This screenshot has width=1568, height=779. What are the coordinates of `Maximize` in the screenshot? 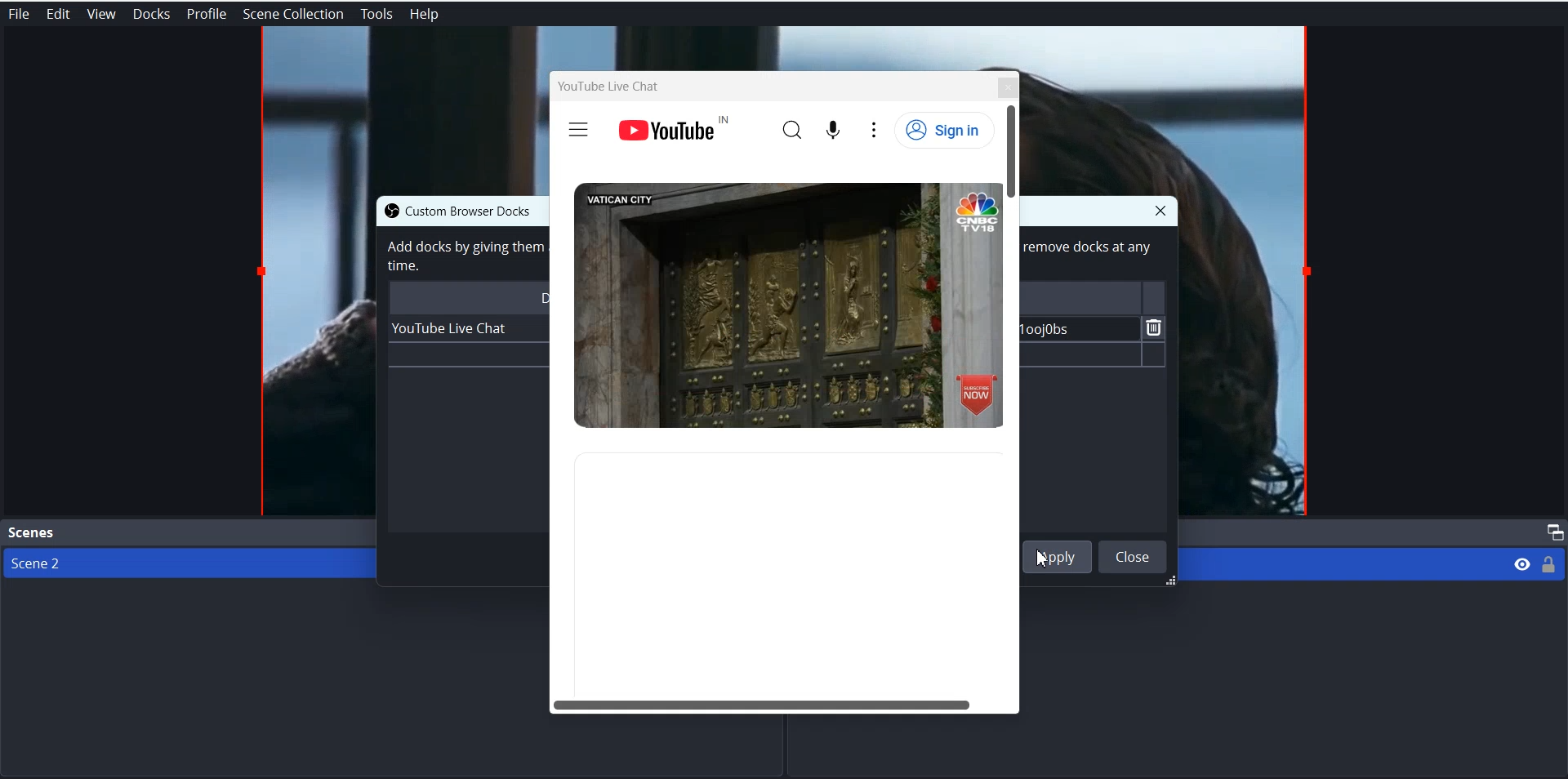 It's located at (1552, 532).